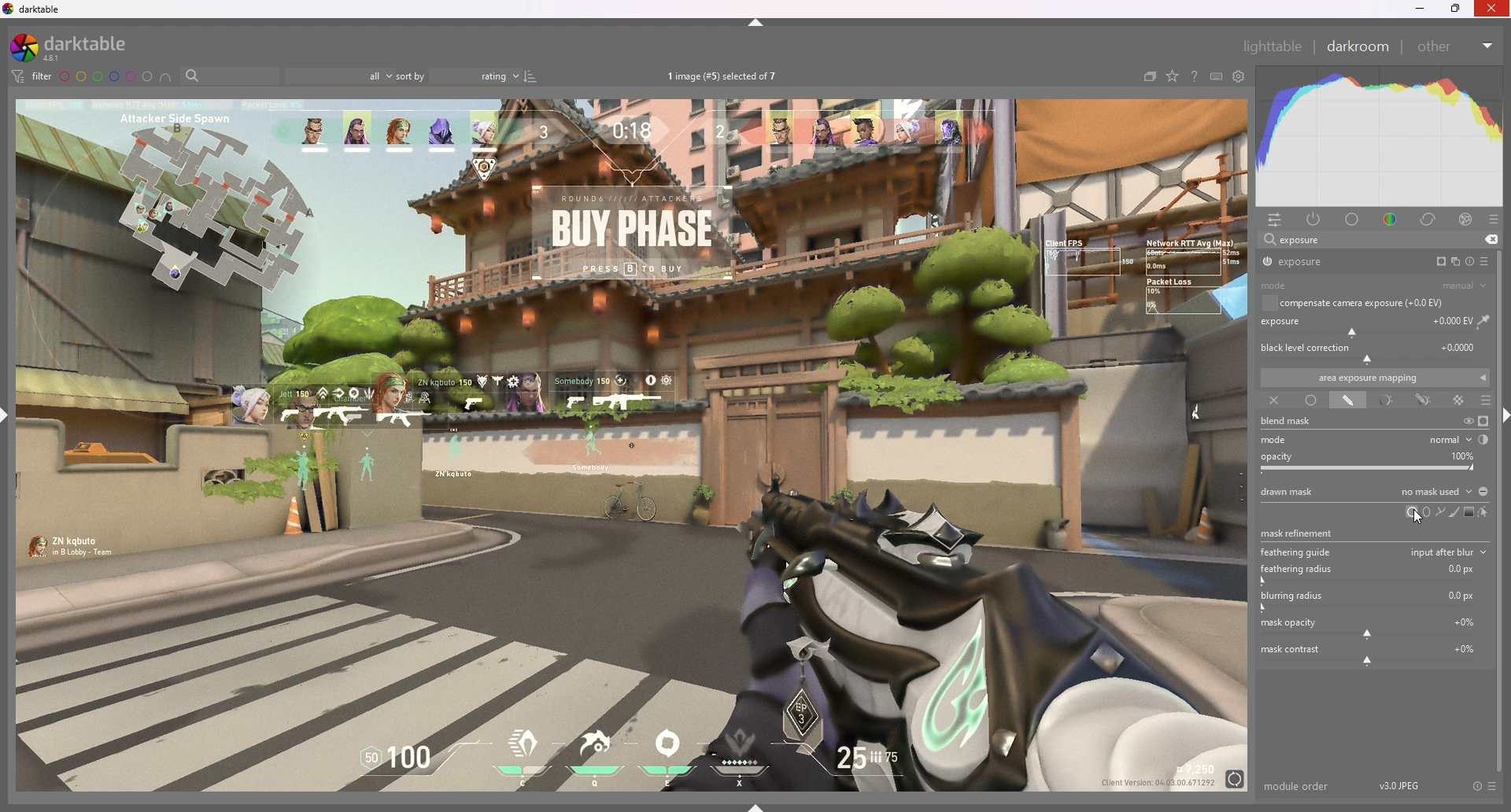 The image size is (1511, 812). I want to click on multiple instances action, so click(1451, 262).